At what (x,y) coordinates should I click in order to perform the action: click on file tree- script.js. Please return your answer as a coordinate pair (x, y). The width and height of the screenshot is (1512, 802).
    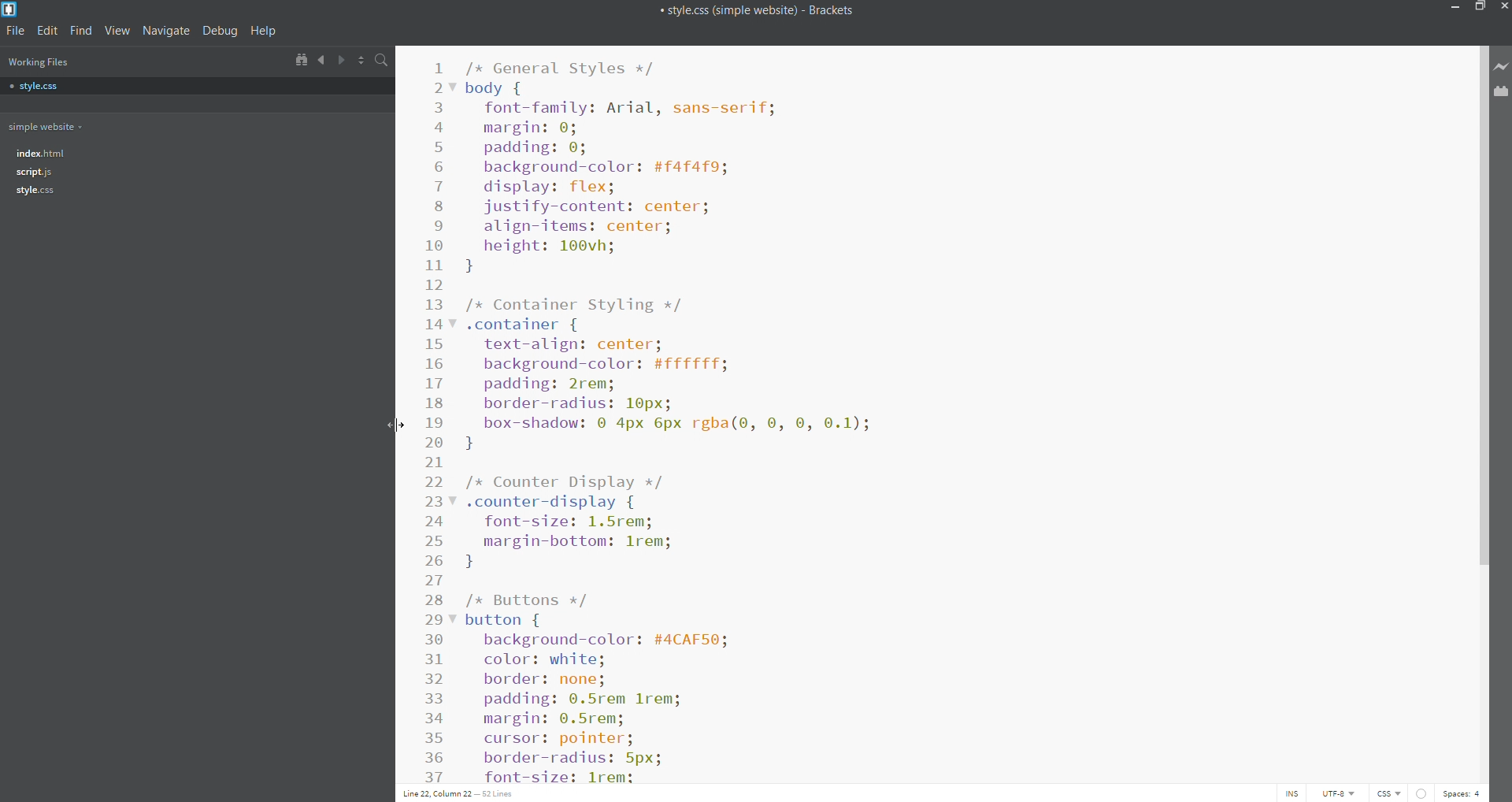
    Looking at the image, I should click on (35, 173).